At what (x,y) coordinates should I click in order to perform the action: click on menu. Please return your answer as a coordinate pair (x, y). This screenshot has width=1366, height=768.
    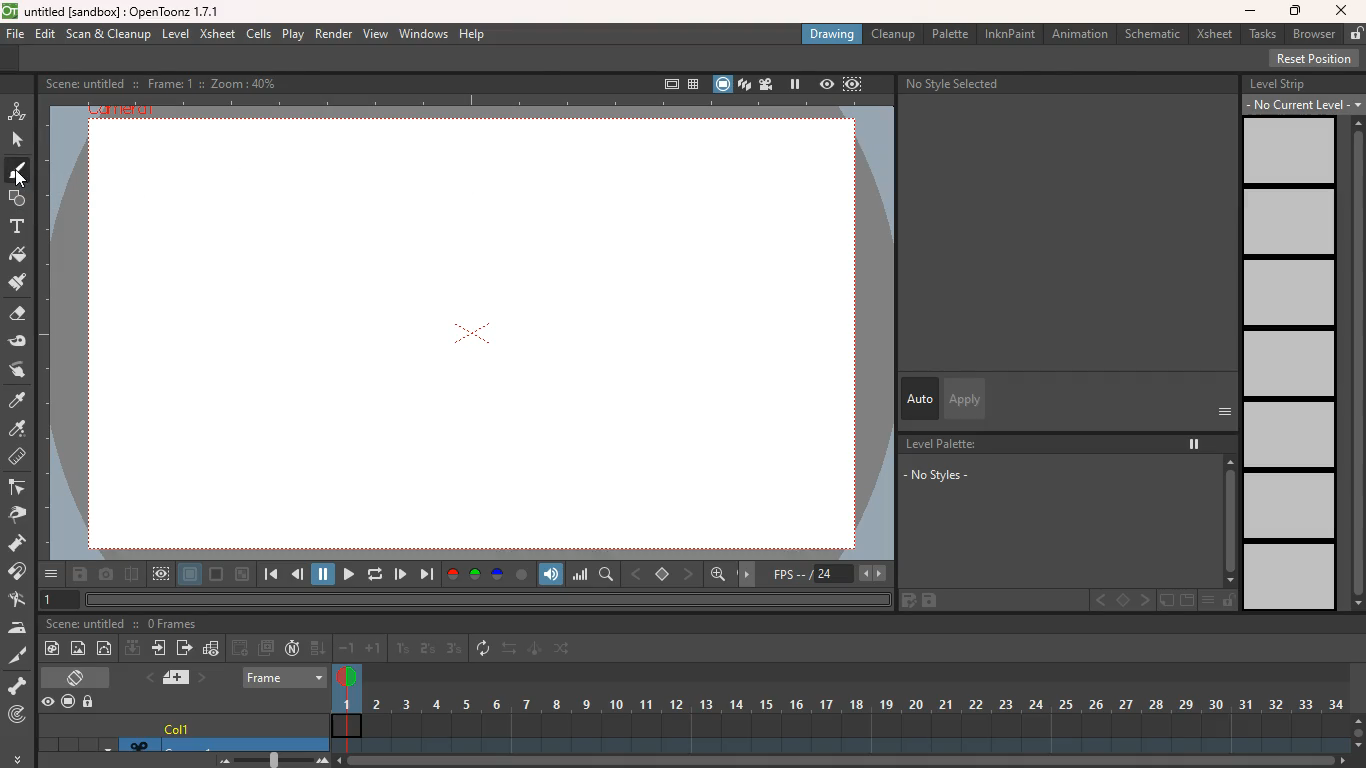
    Looking at the image, I should click on (1212, 601).